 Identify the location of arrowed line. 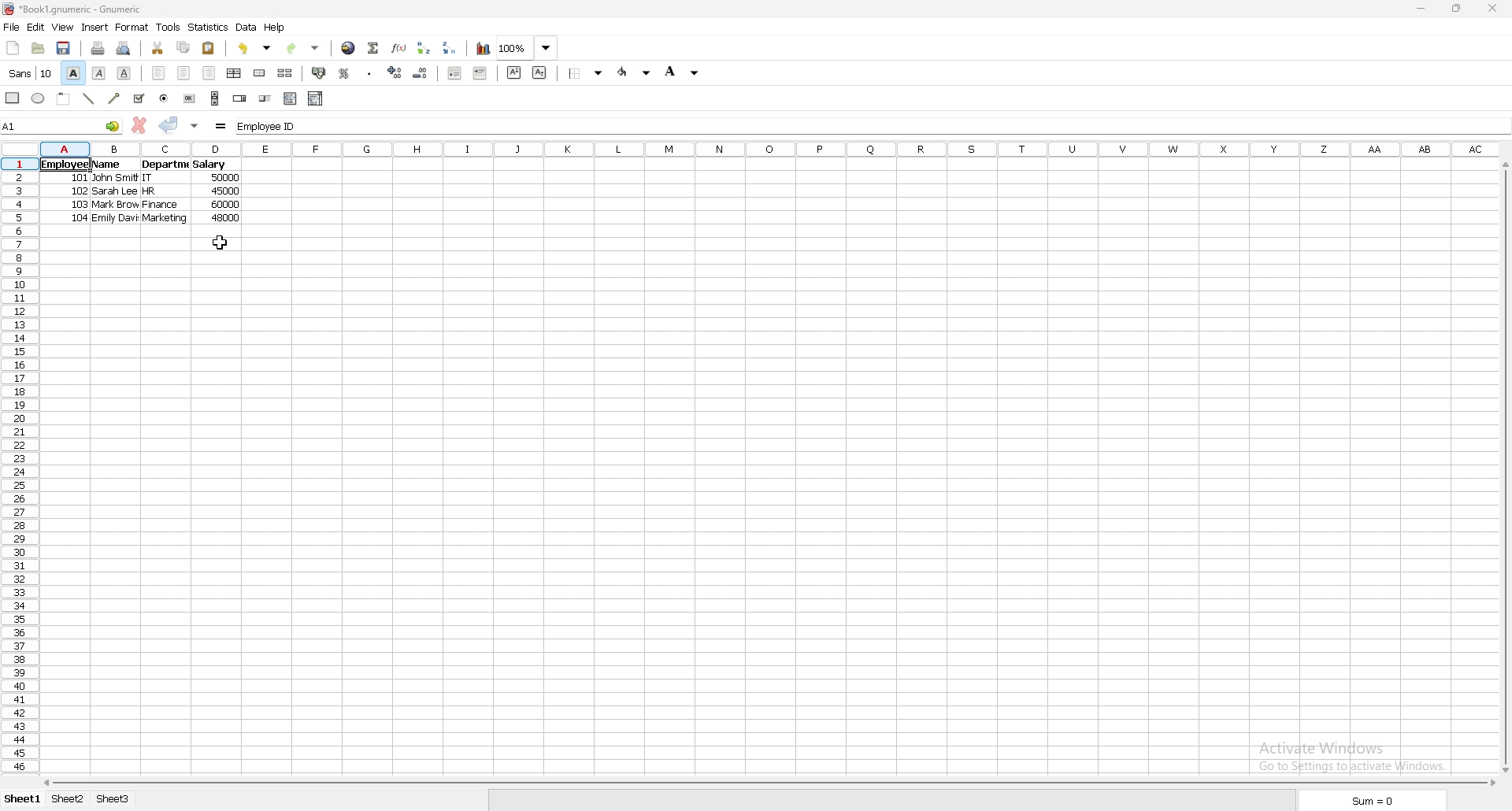
(116, 98).